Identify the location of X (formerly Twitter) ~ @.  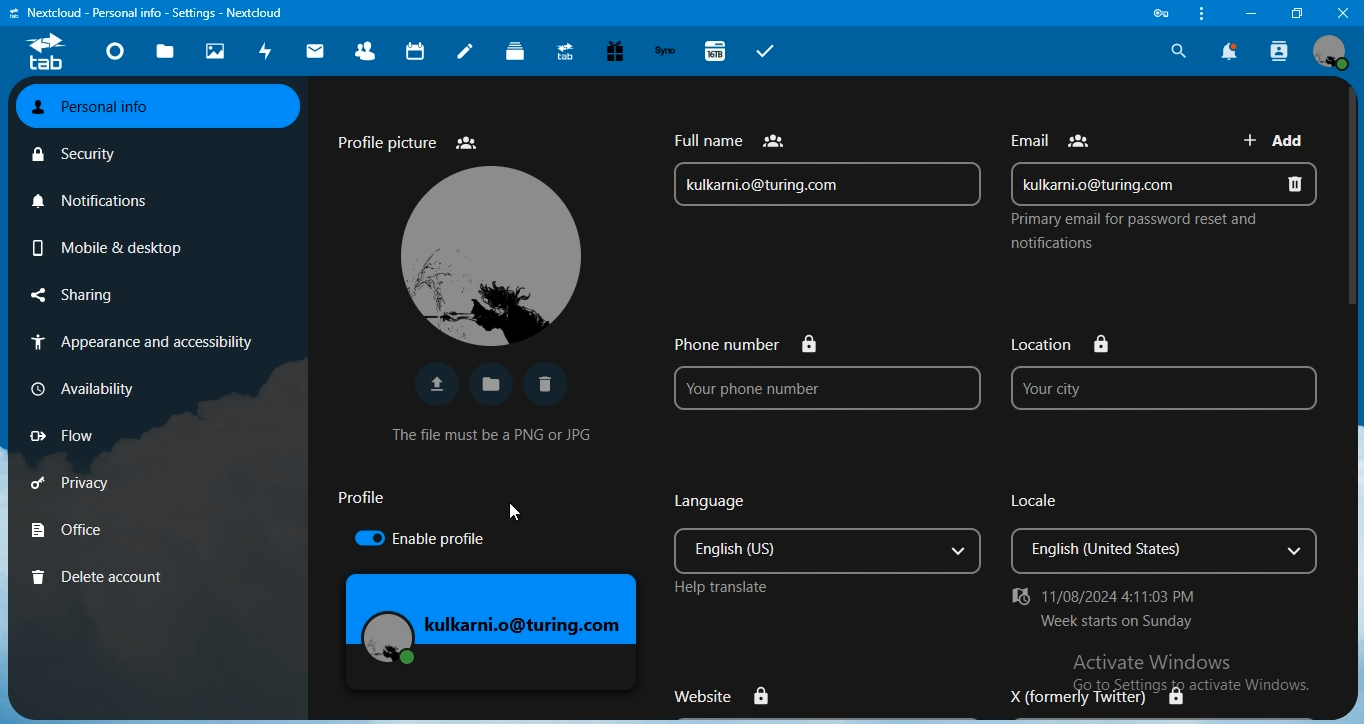
(1087, 697).